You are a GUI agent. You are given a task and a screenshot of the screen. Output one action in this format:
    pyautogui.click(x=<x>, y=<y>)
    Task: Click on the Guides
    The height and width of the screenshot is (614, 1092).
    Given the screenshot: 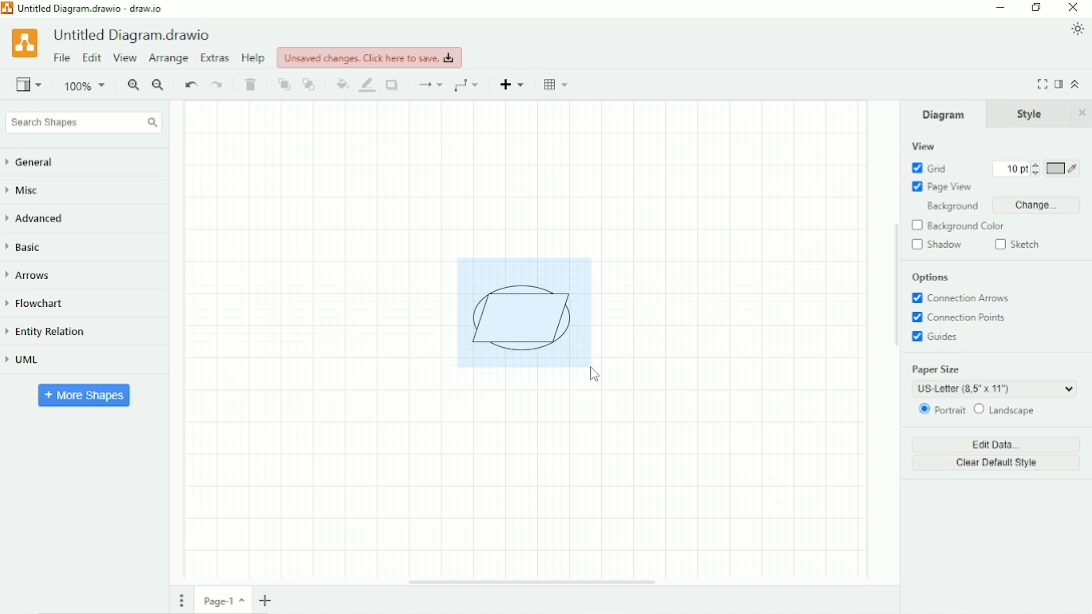 What is the action you would take?
    pyautogui.click(x=938, y=338)
    